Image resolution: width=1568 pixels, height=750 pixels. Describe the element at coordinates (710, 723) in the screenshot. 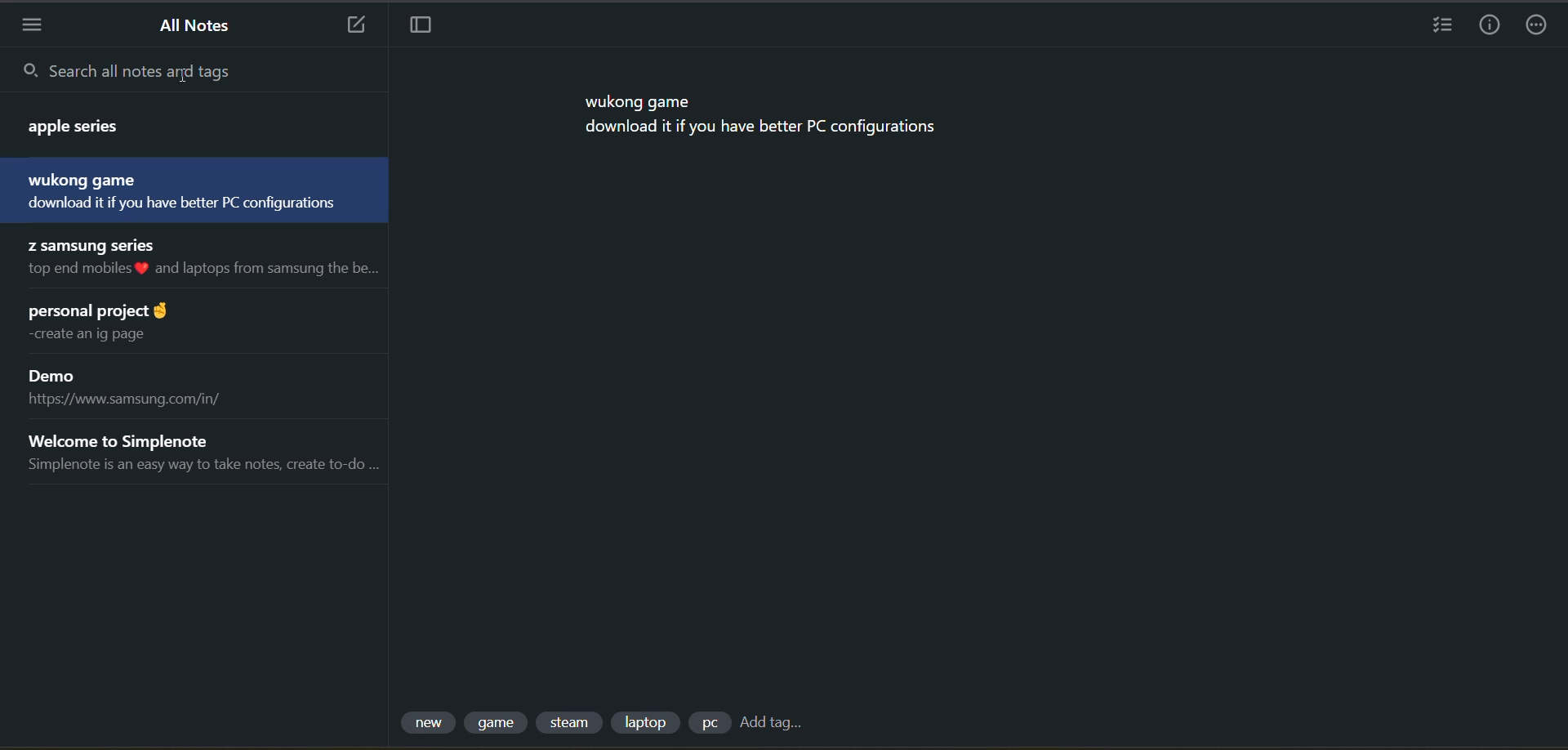

I see `tag 5` at that location.